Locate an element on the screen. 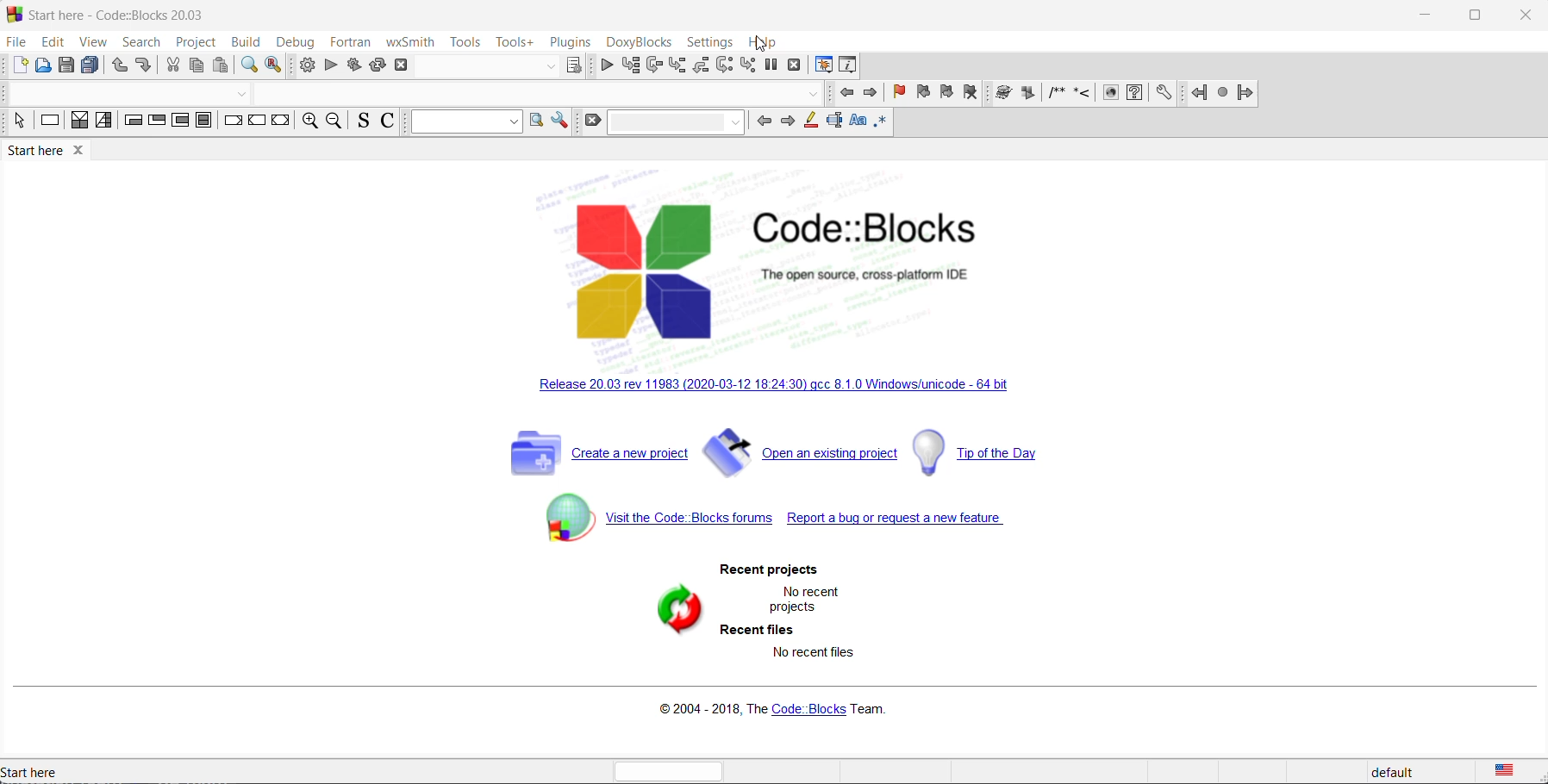  save is located at coordinates (66, 65).